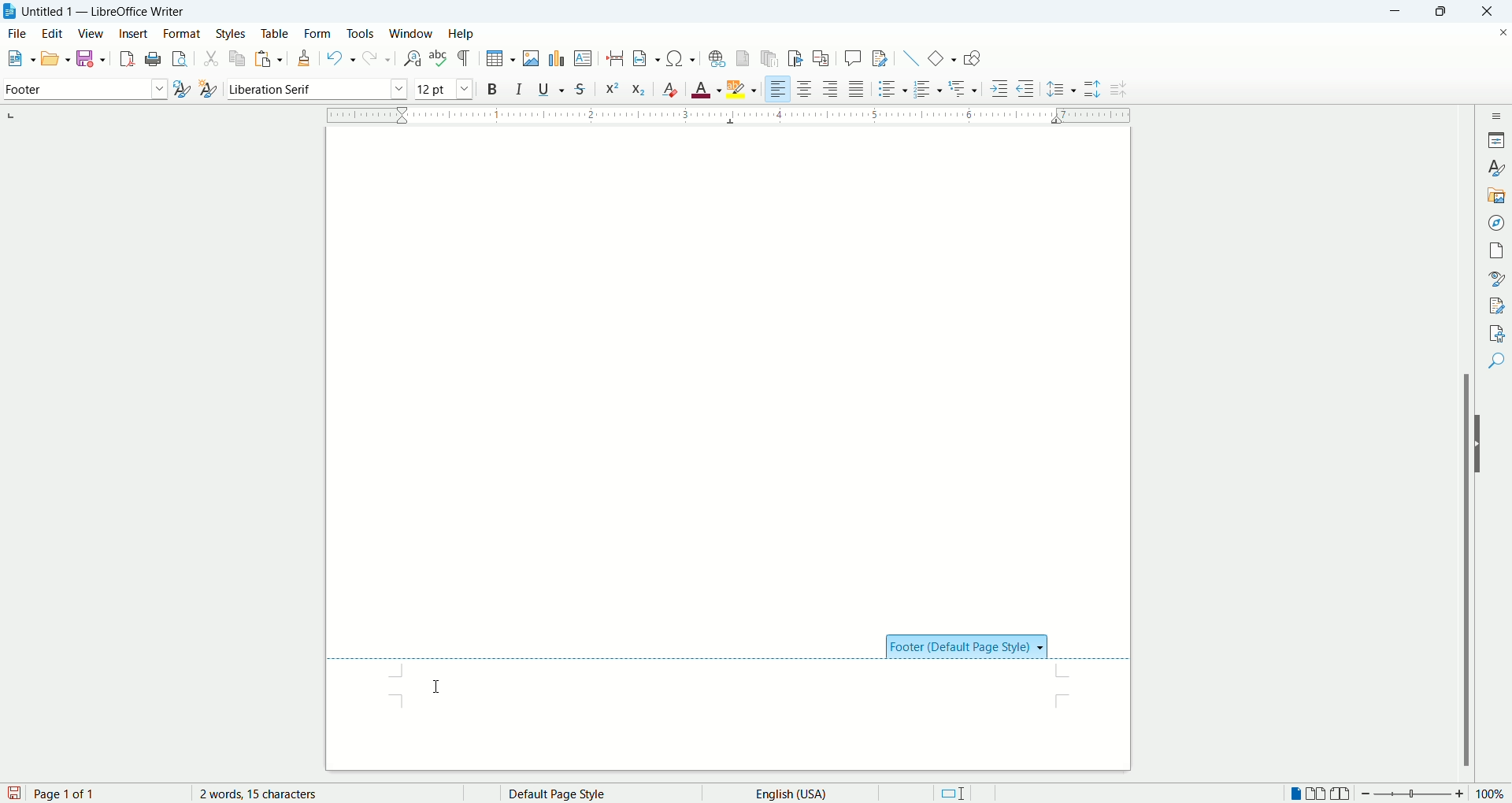 The width and height of the screenshot is (1512, 803). I want to click on view, so click(92, 34).